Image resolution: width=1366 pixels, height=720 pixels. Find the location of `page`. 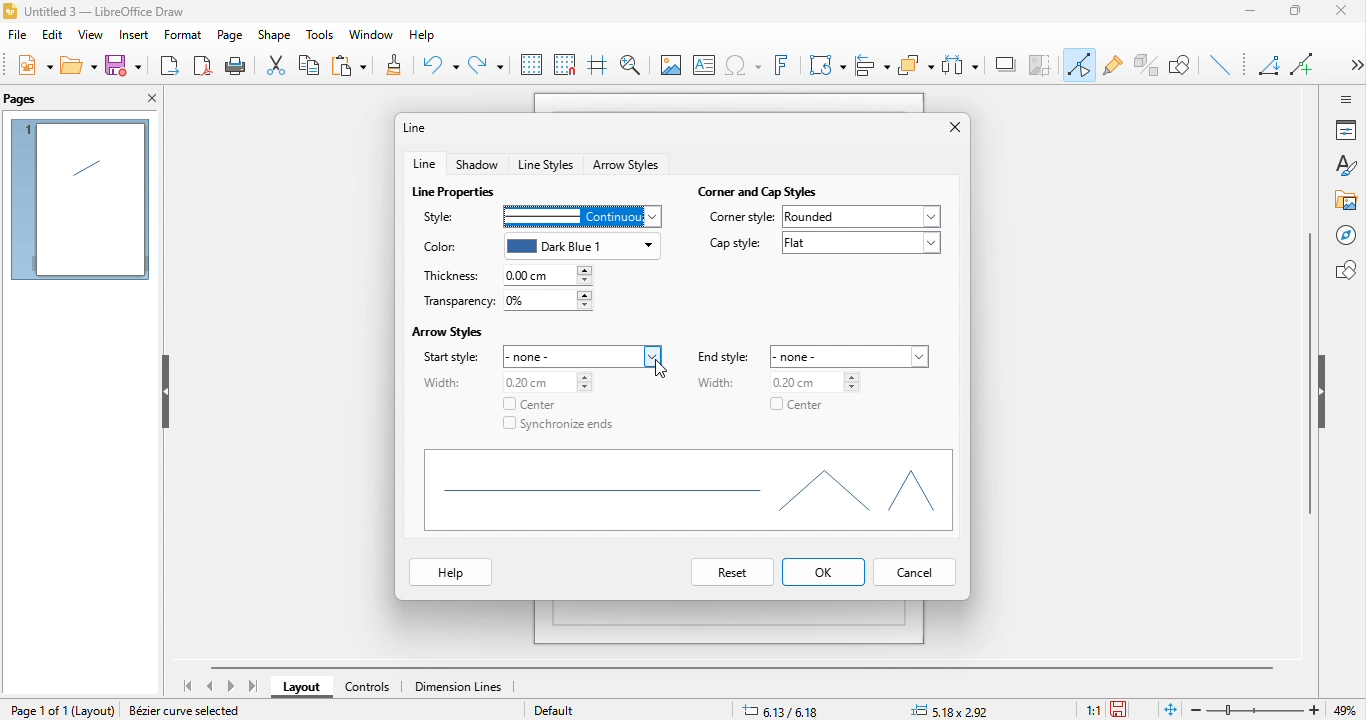

page is located at coordinates (230, 36).